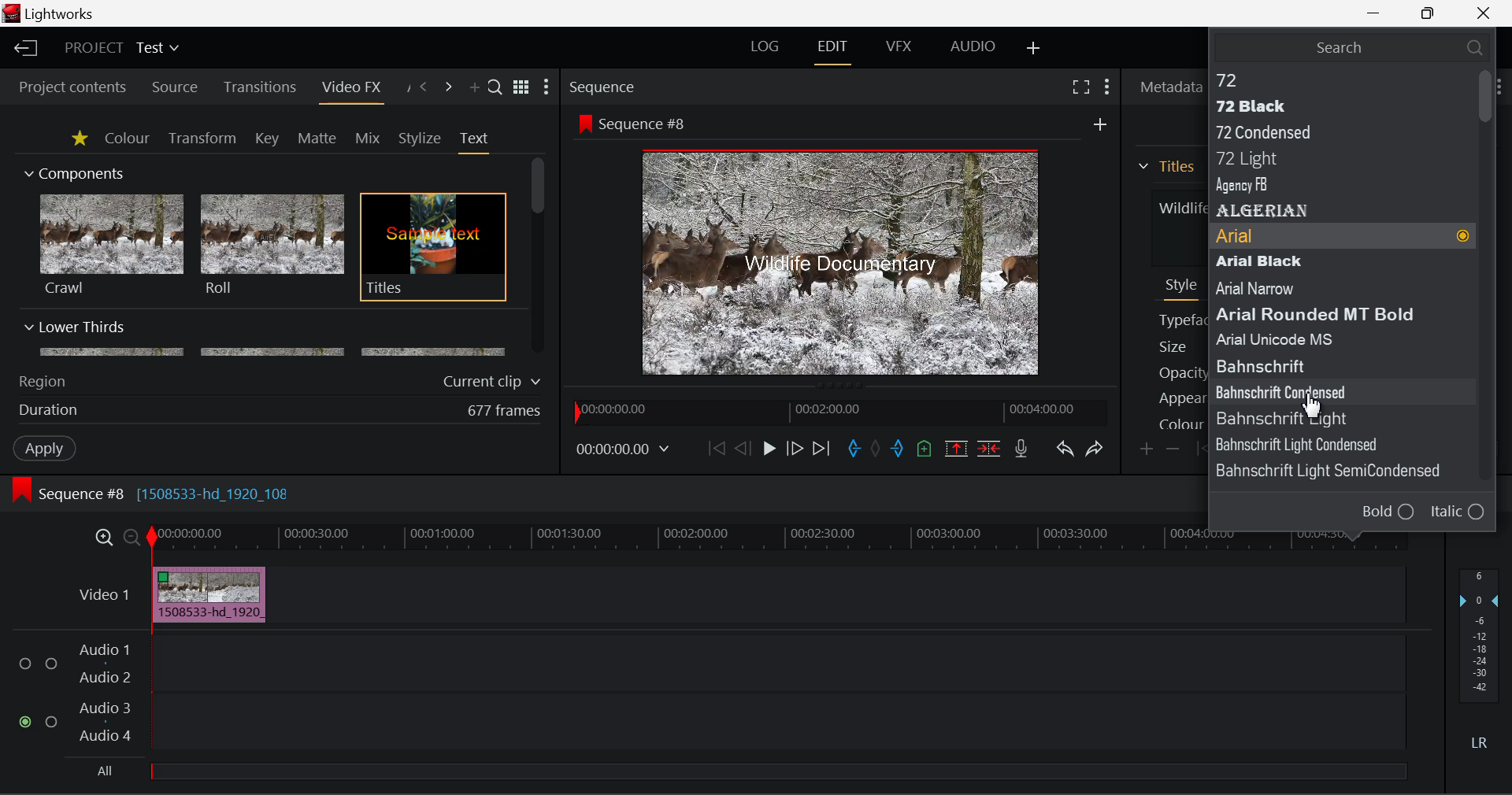 Image resolution: width=1512 pixels, height=795 pixels. What do you see at coordinates (1343, 238) in the screenshot?
I see `Arial` at bounding box center [1343, 238].